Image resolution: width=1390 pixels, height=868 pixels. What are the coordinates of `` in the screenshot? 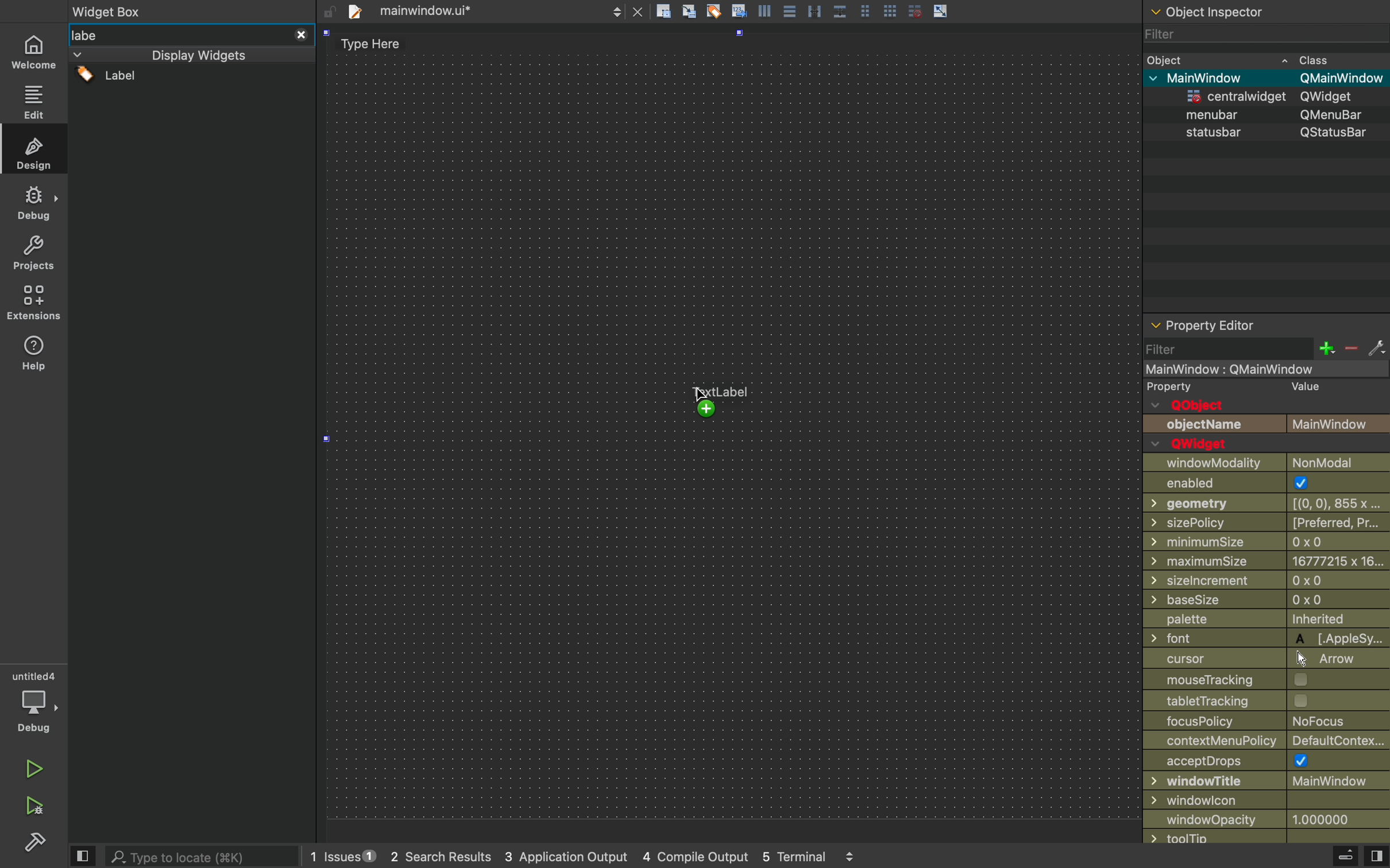 It's located at (1261, 370).